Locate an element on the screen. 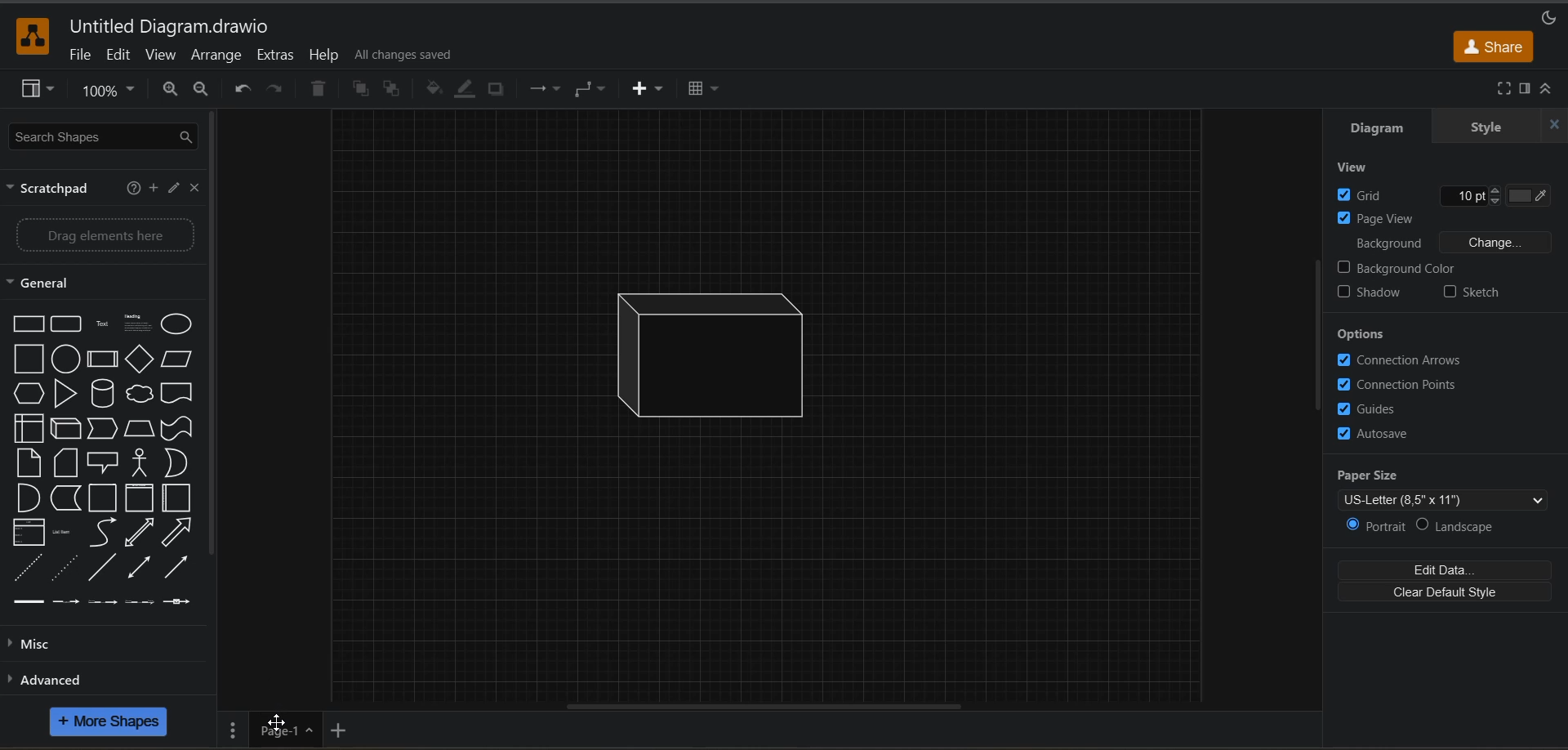 Image resolution: width=1568 pixels, height=750 pixels. diagram is located at coordinates (1377, 130).